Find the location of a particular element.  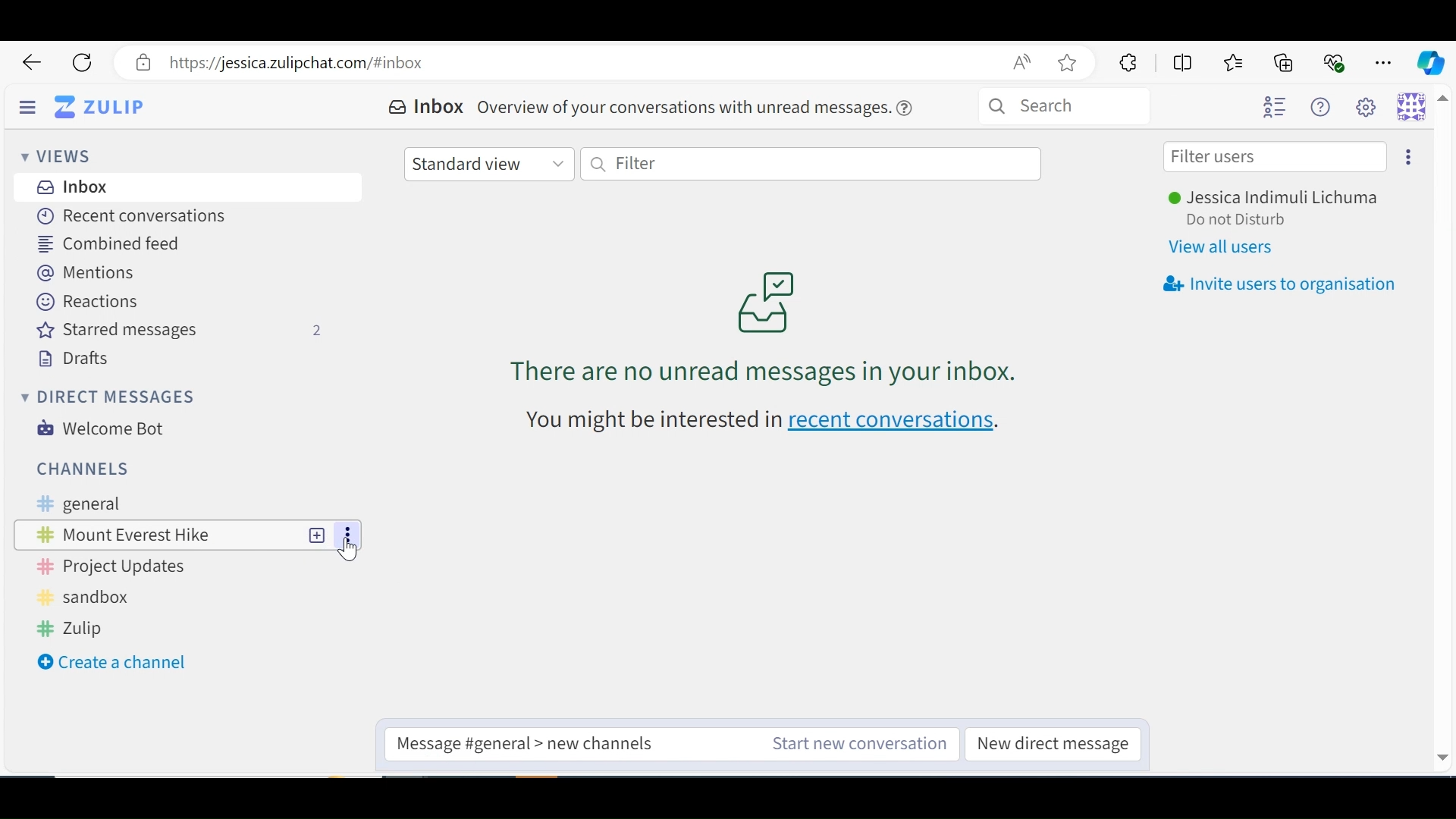

Inbox is located at coordinates (428, 108).